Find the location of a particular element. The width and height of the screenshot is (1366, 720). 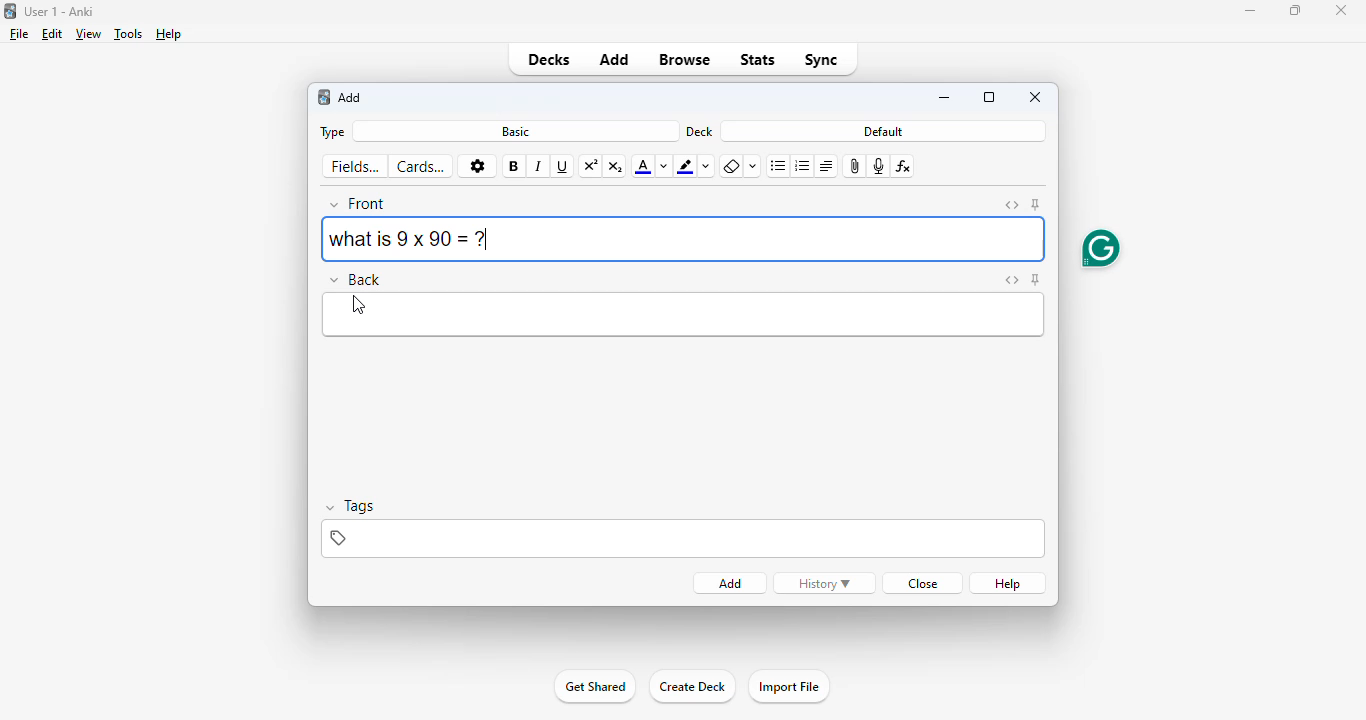

options is located at coordinates (477, 167).